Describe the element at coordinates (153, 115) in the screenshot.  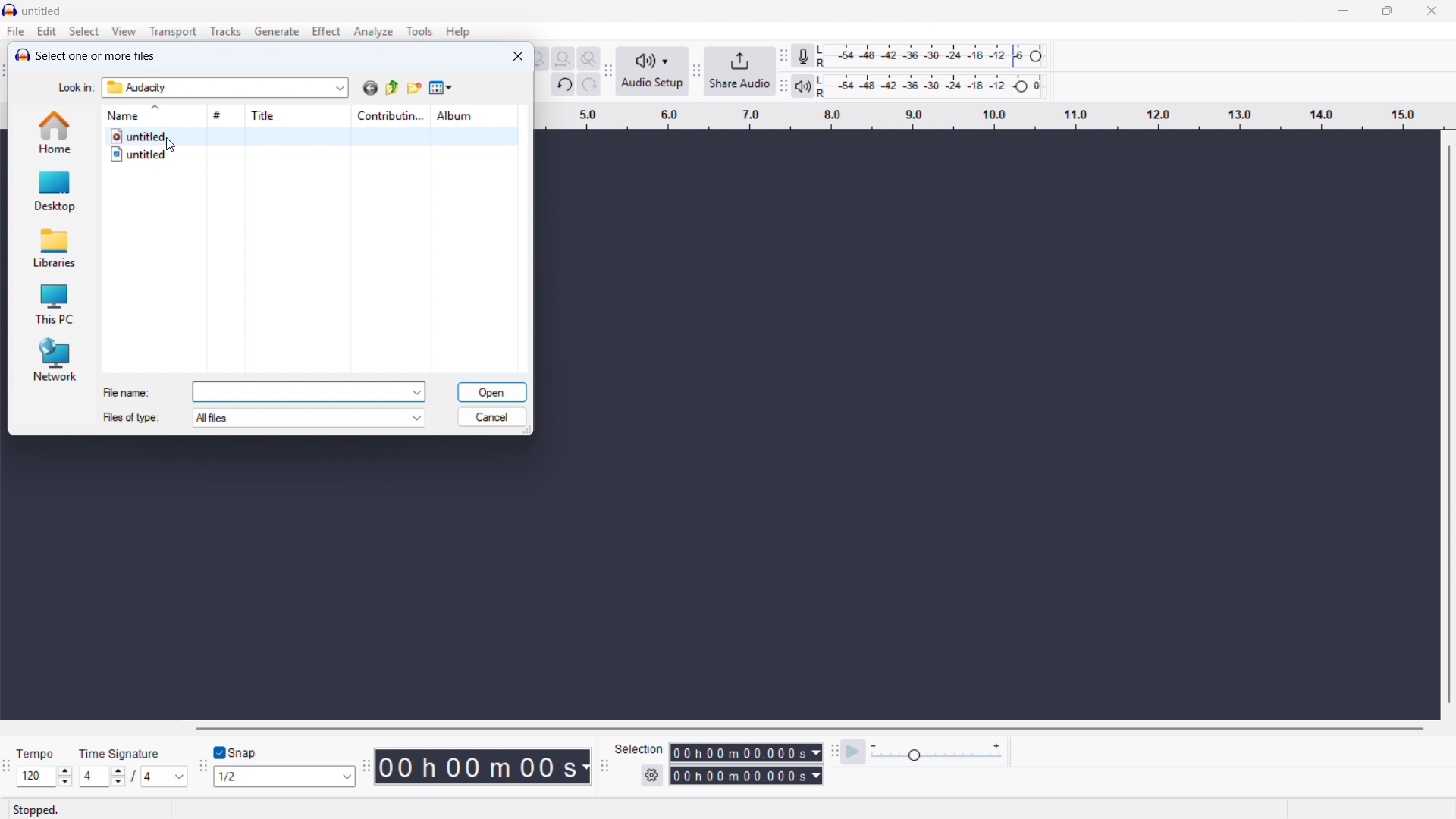
I see `name` at that location.